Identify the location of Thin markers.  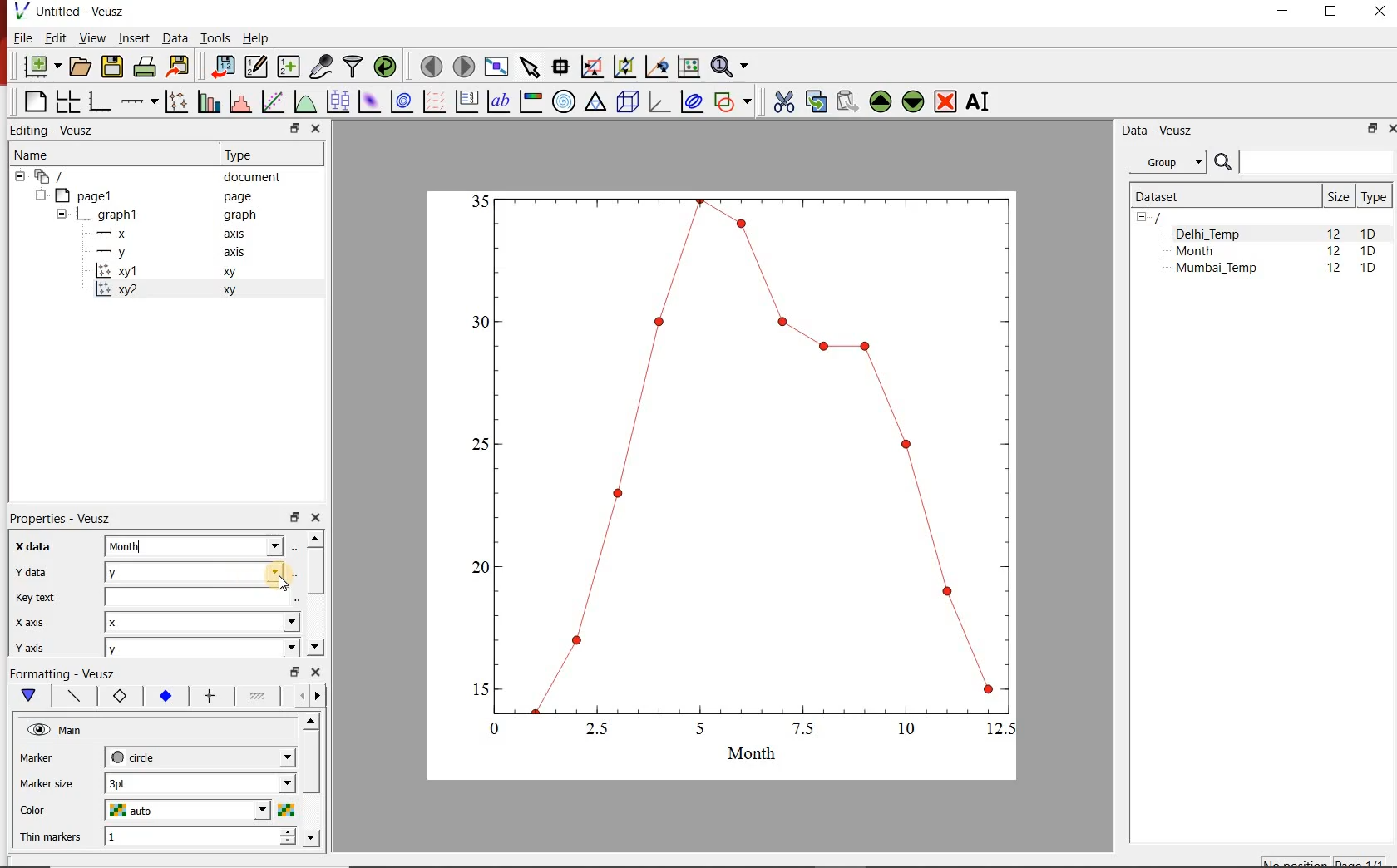
(49, 838).